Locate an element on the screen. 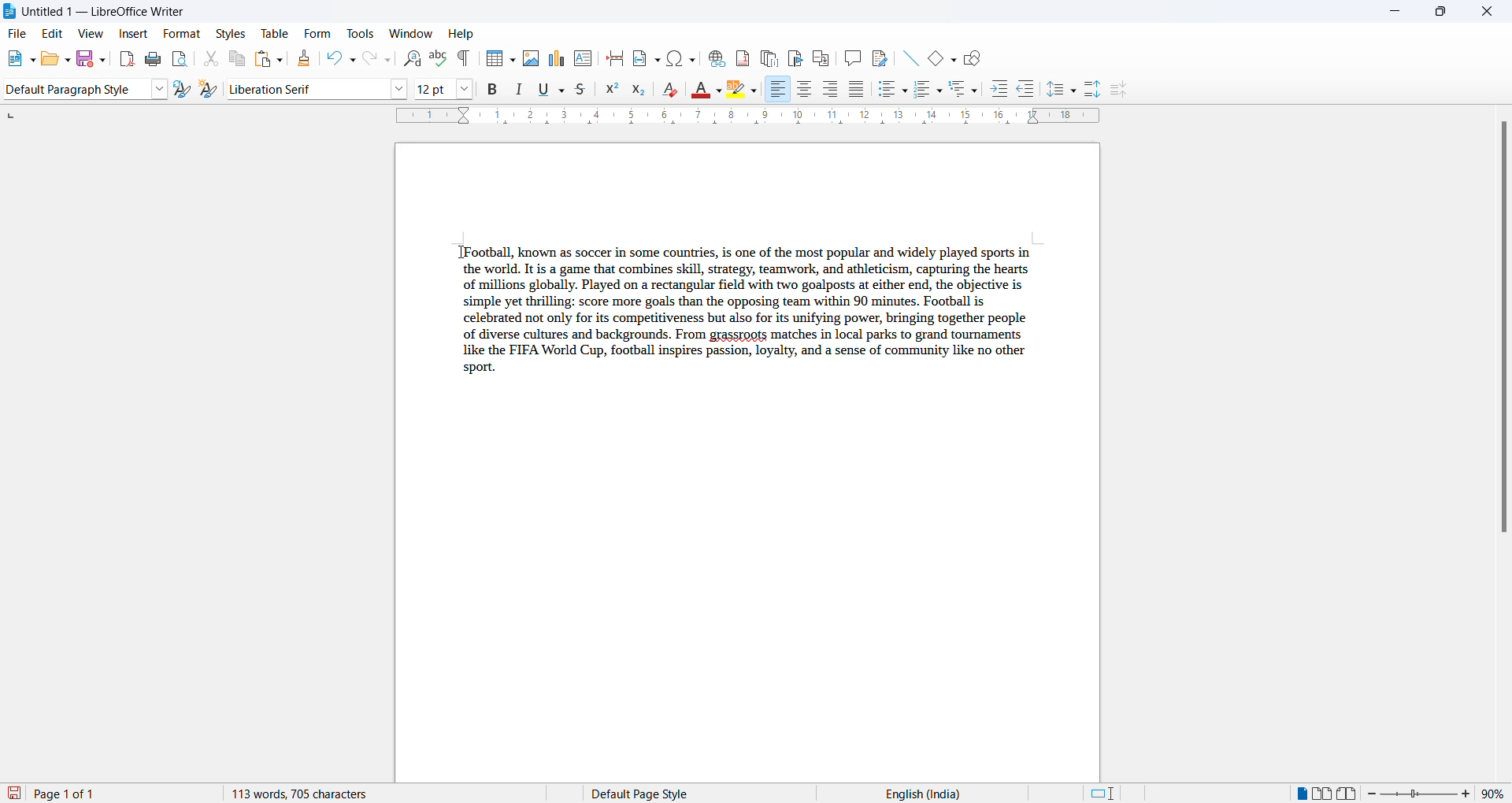 The image size is (1512, 803). cut is located at coordinates (210, 57).